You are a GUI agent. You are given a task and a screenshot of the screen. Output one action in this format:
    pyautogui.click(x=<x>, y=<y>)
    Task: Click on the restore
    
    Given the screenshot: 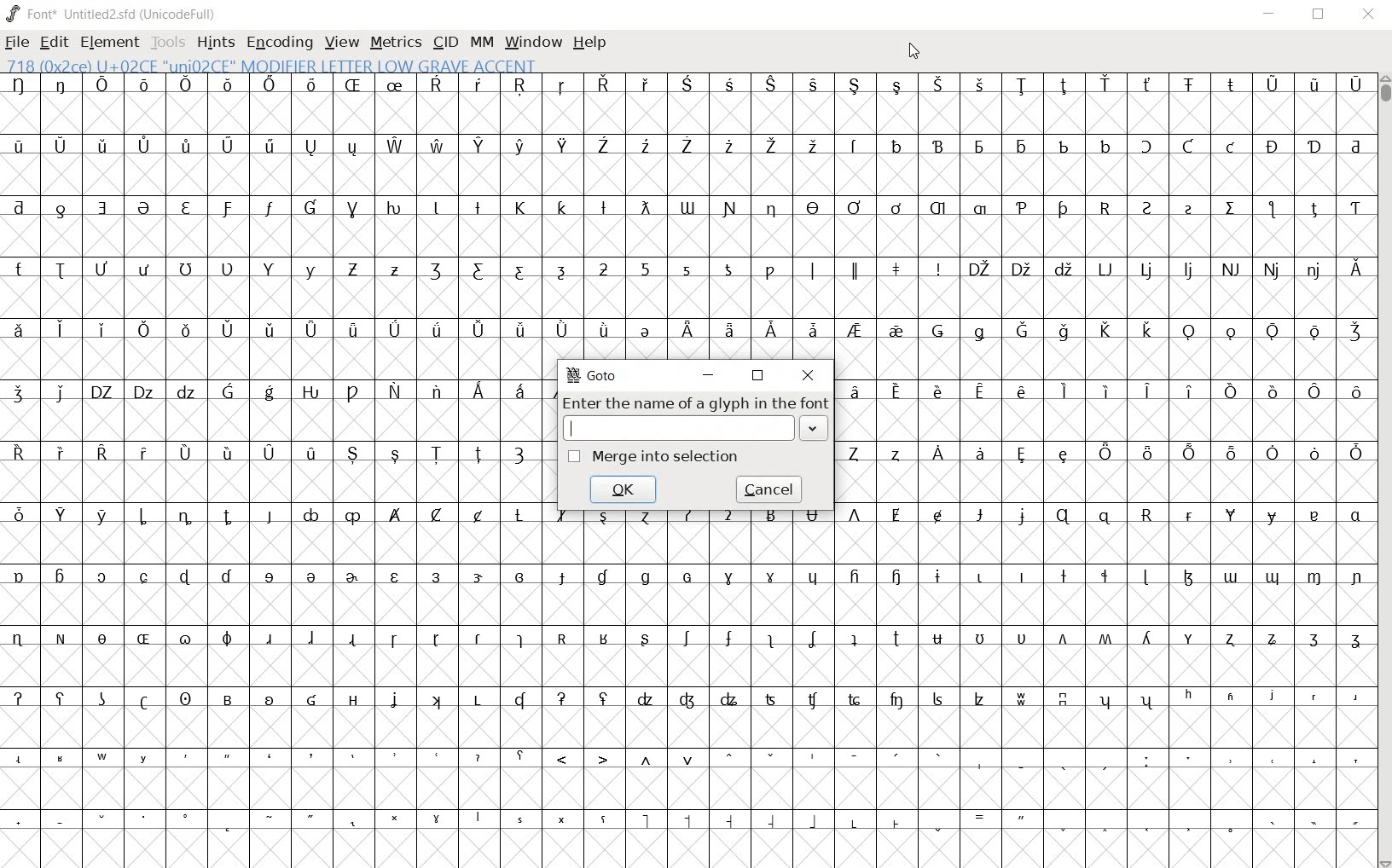 What is the action you would take?
    pyautogui.click(x=757, y=375)
    